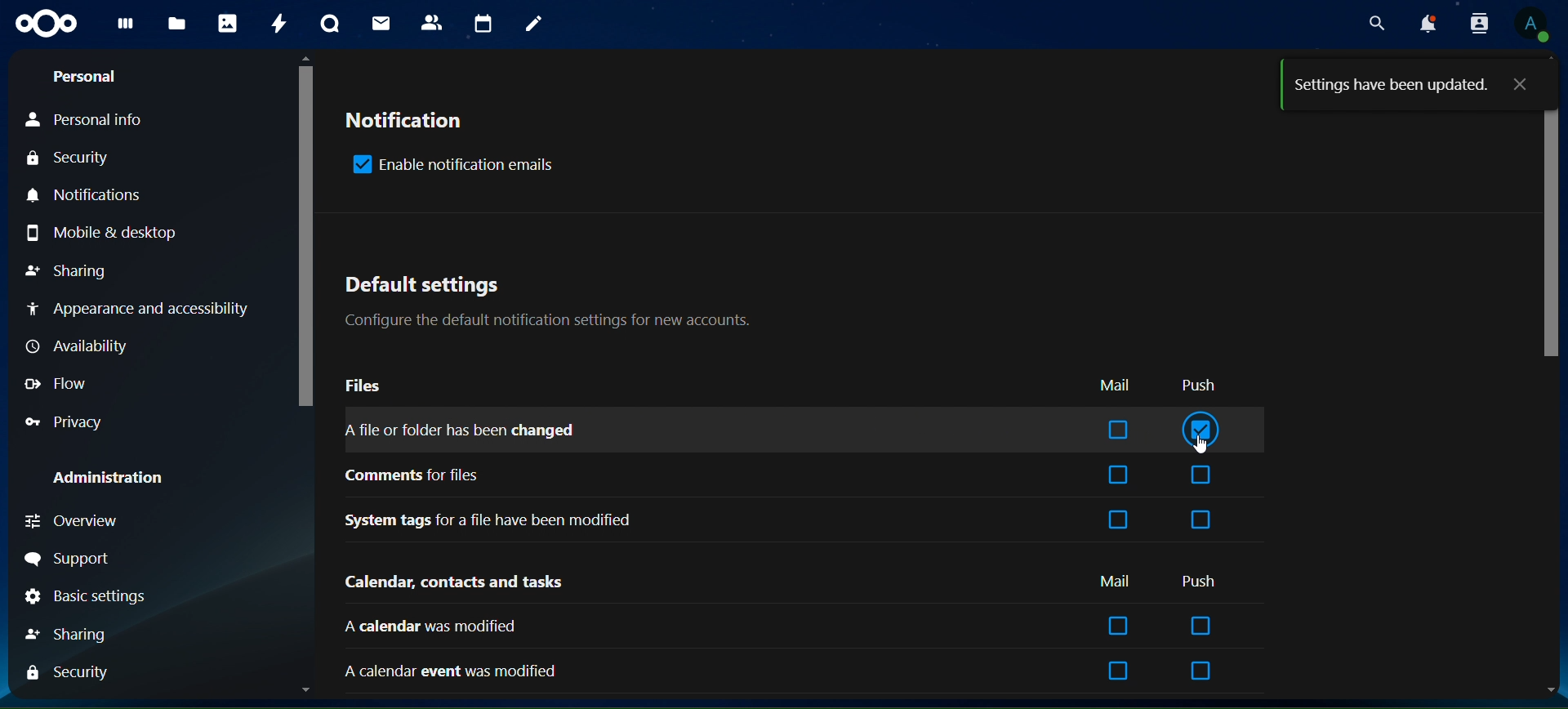 This screenshot has height=709, width=1568. Describe the element at coordinates (136, 308) in the screenshot. I see `notifications` at that location.